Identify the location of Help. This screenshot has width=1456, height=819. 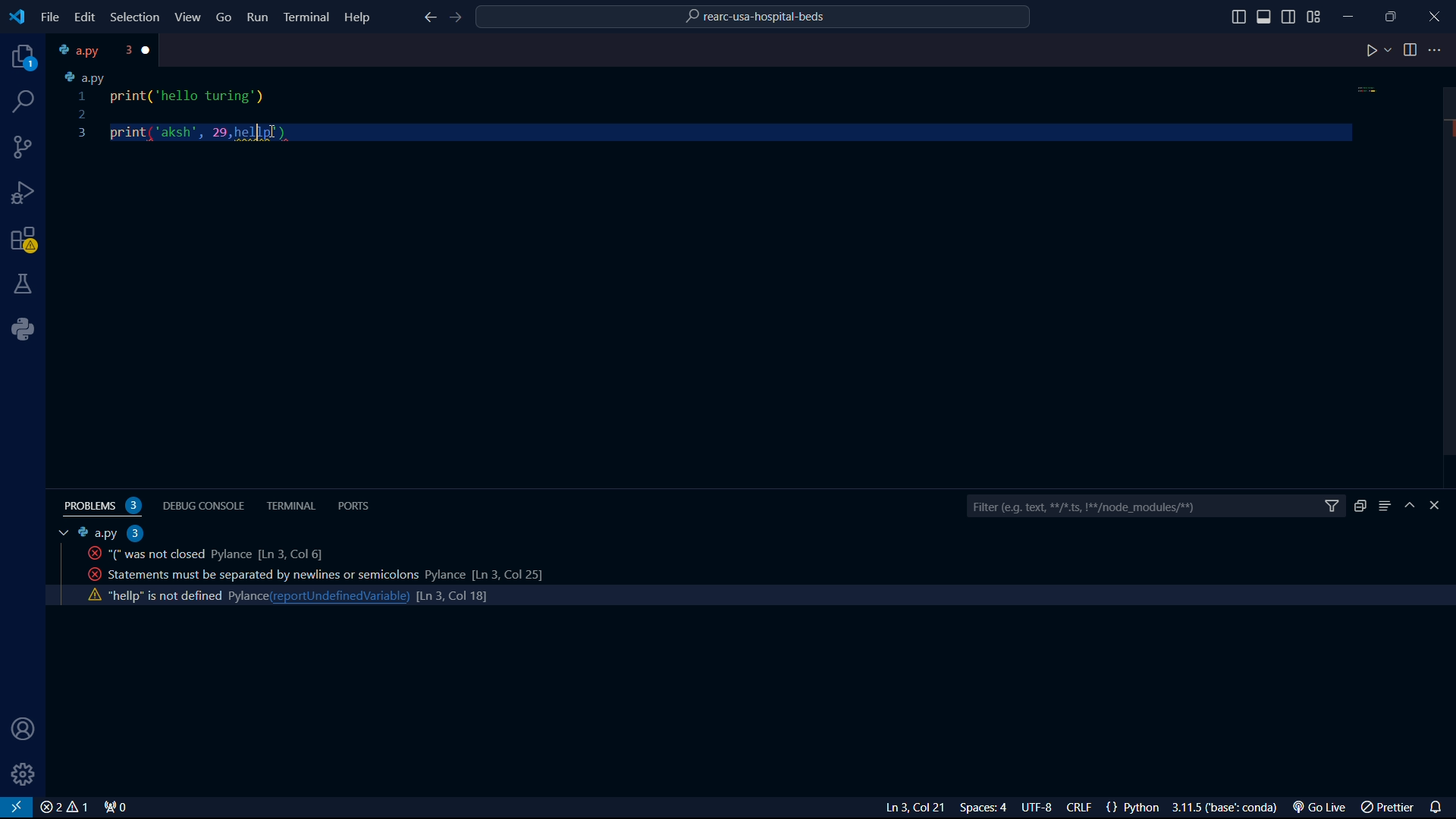
(361, 16).